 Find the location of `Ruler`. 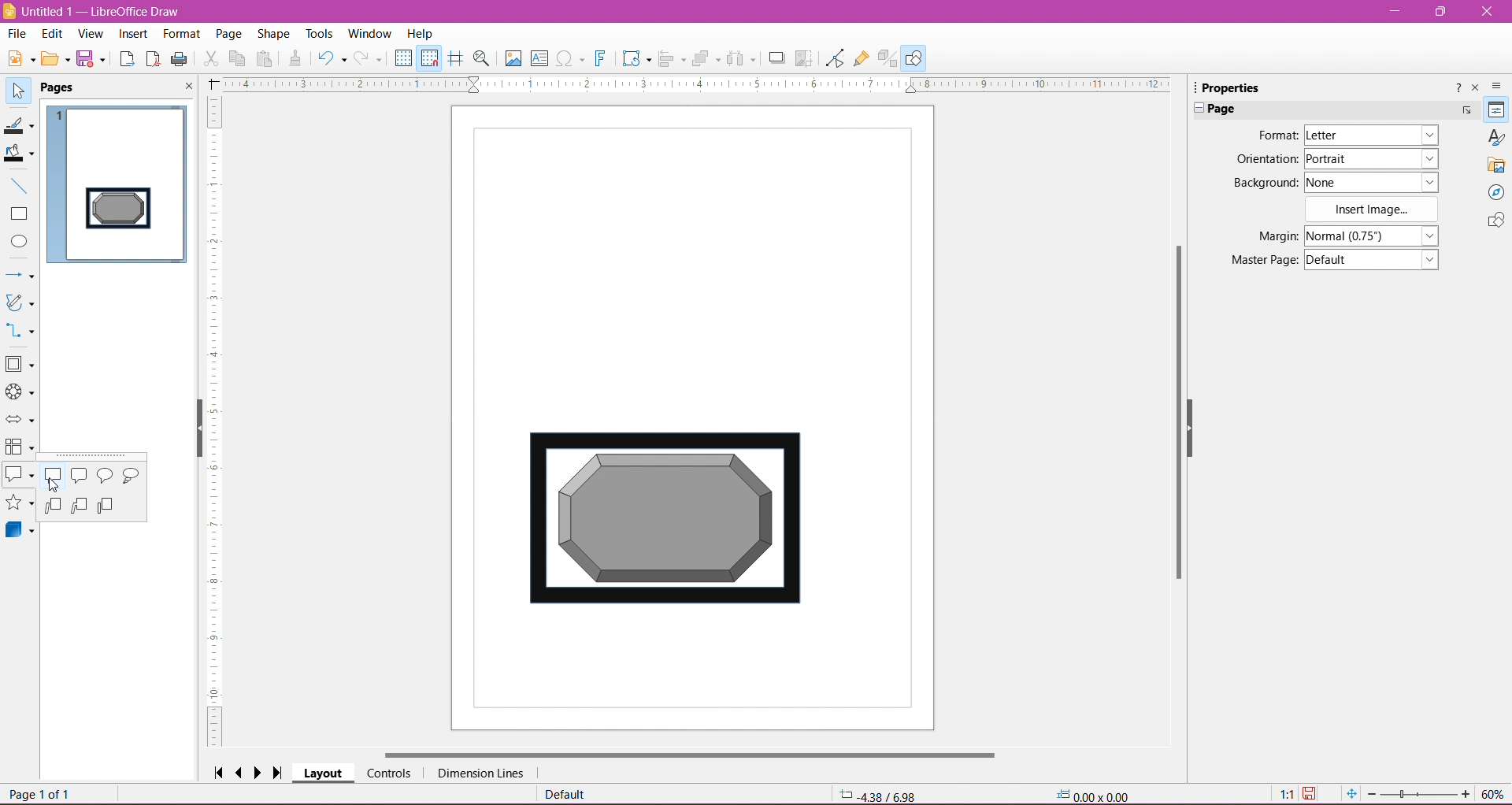

Ruler is located at coordinates (217, 422).